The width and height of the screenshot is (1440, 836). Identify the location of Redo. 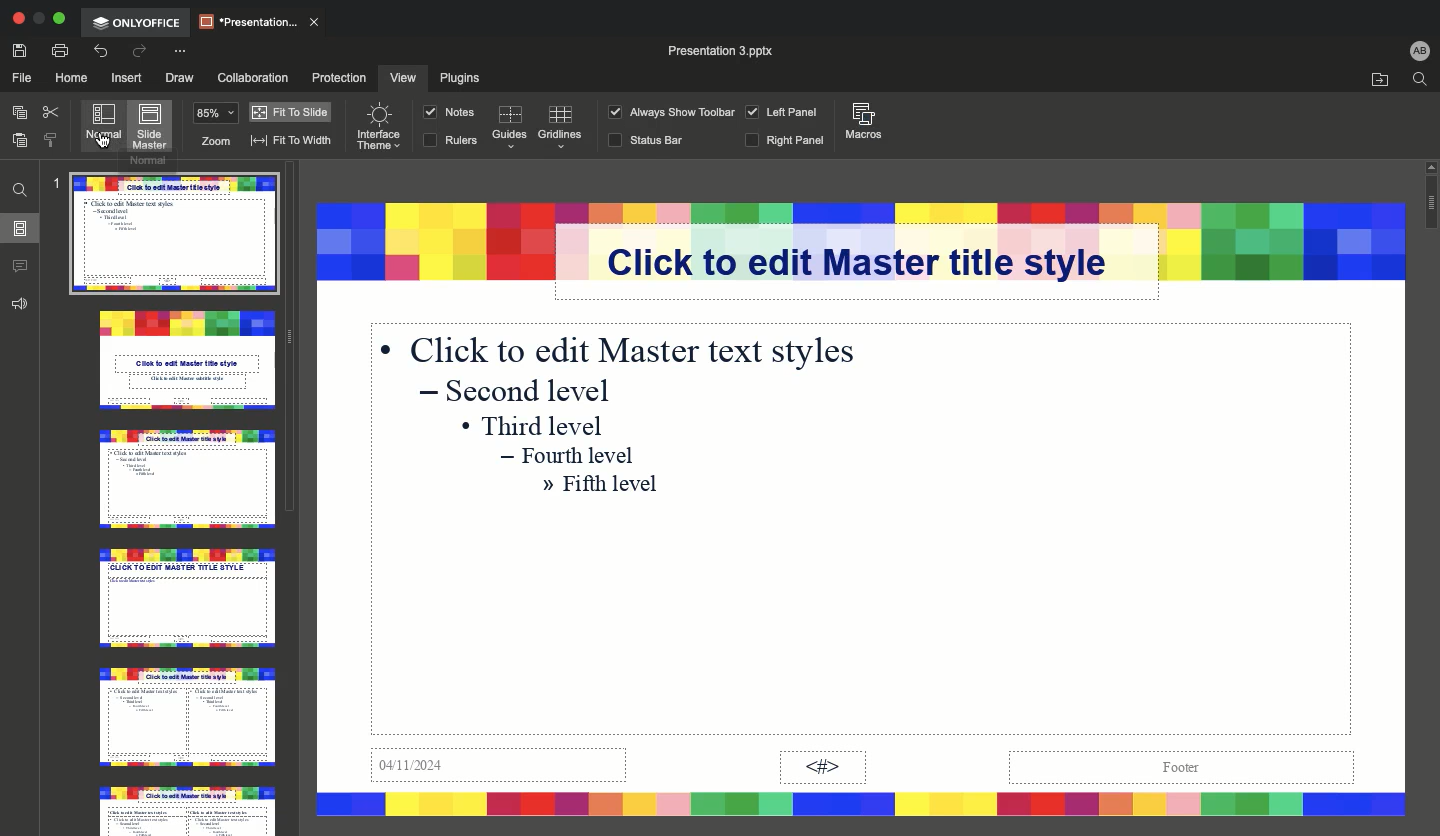
(137, 52).